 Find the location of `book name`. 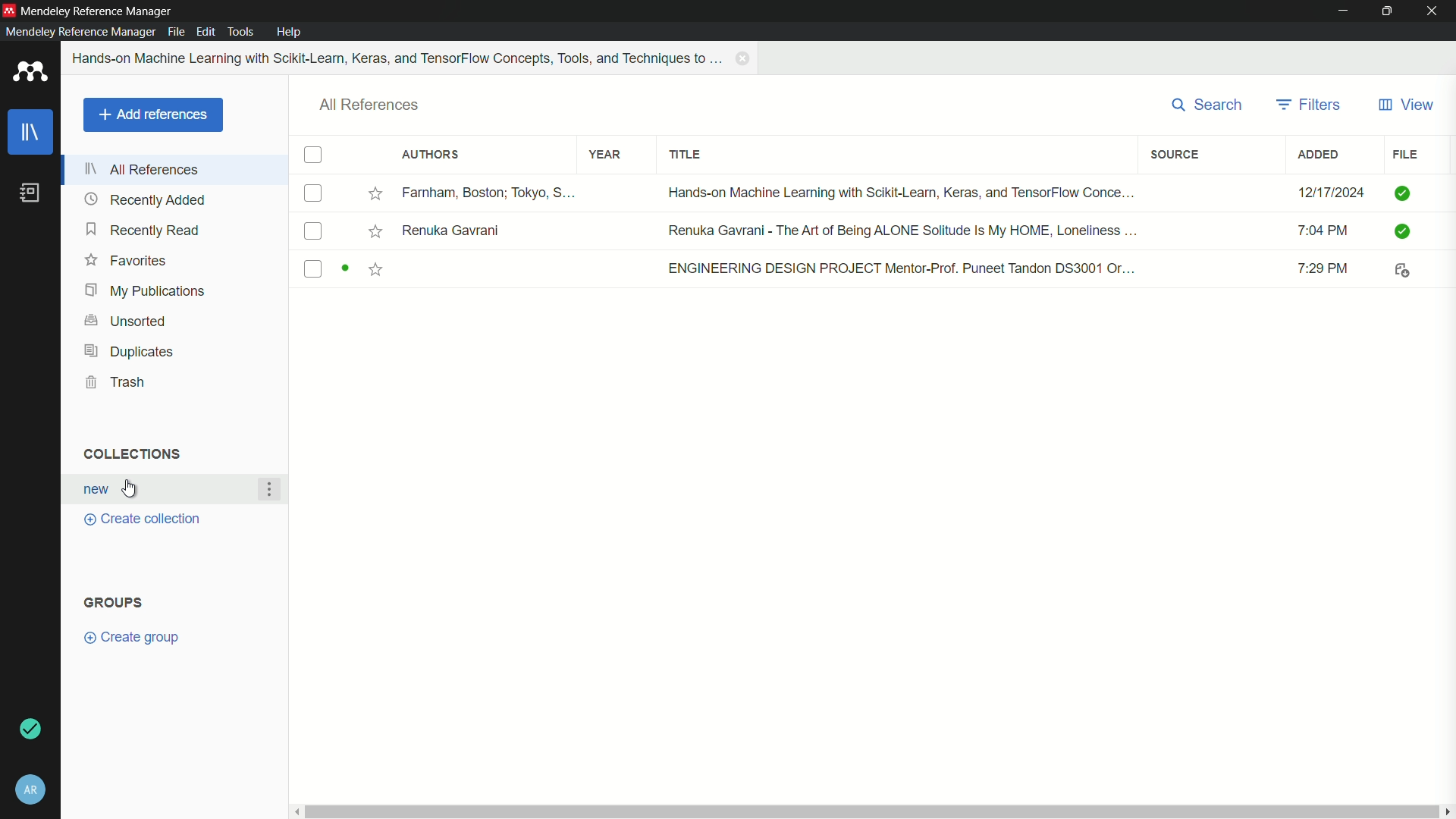

book name is located at coordinates (399, 58).